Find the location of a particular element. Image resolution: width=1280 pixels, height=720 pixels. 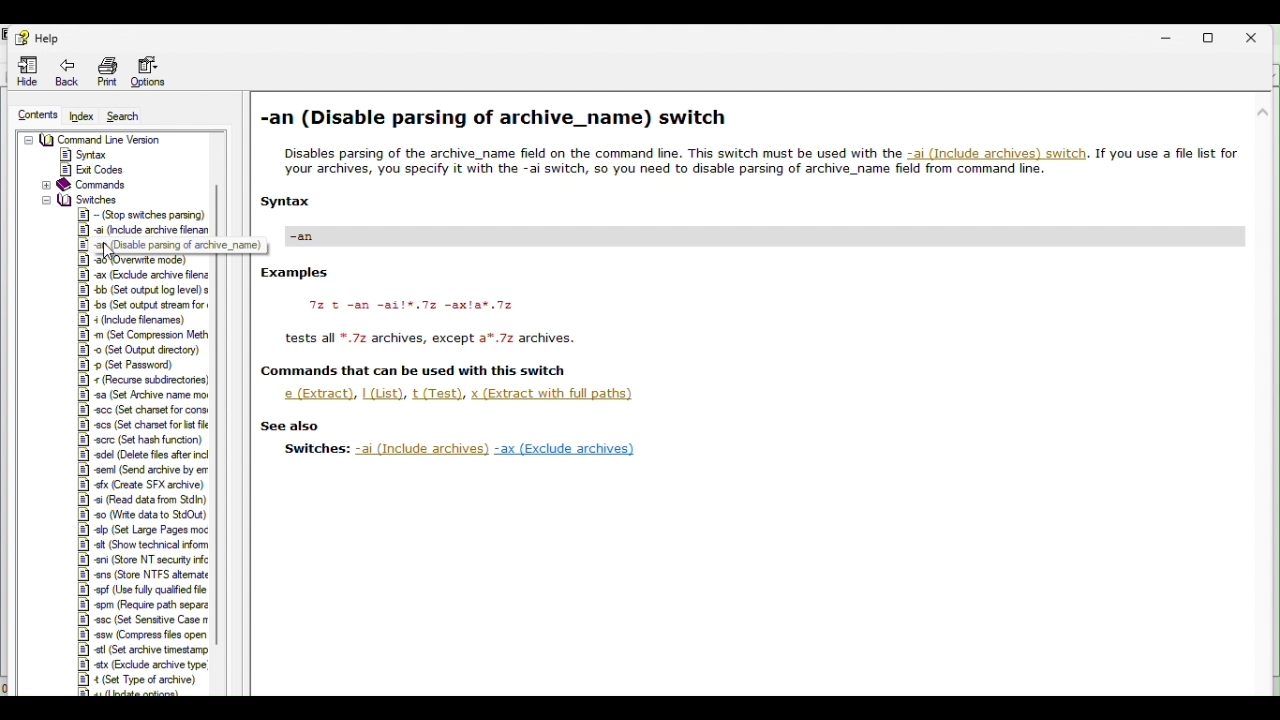

5] adel (Delete files after incl is located at coordinates (141, 456).